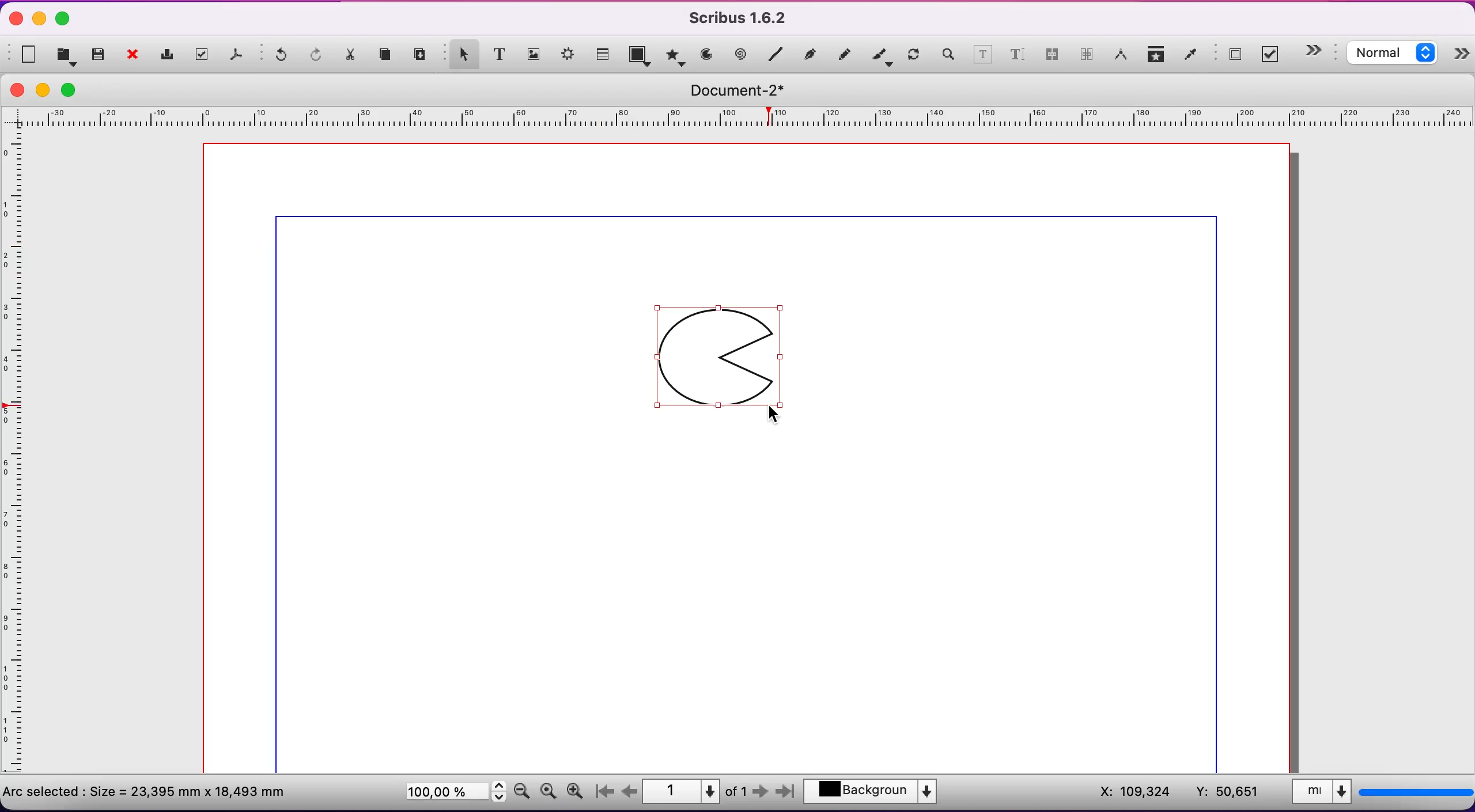 The width and height of the screenshot is (1475, 812). What do you see at coordinates (779, 413) in the screenshot?
I see `cursor` at bounding box center [779, 413].